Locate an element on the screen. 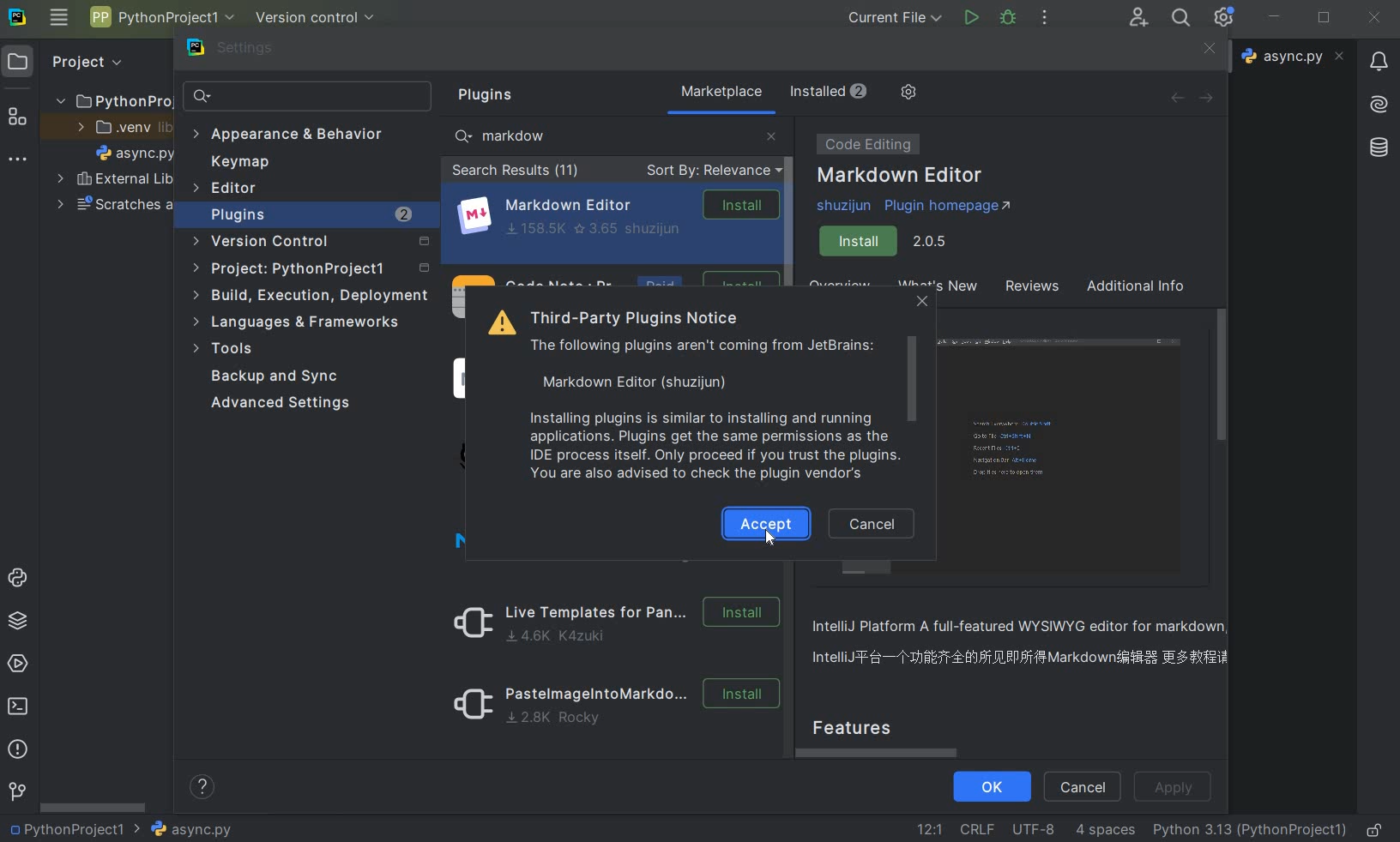  services is located at coordinates (17, 663).